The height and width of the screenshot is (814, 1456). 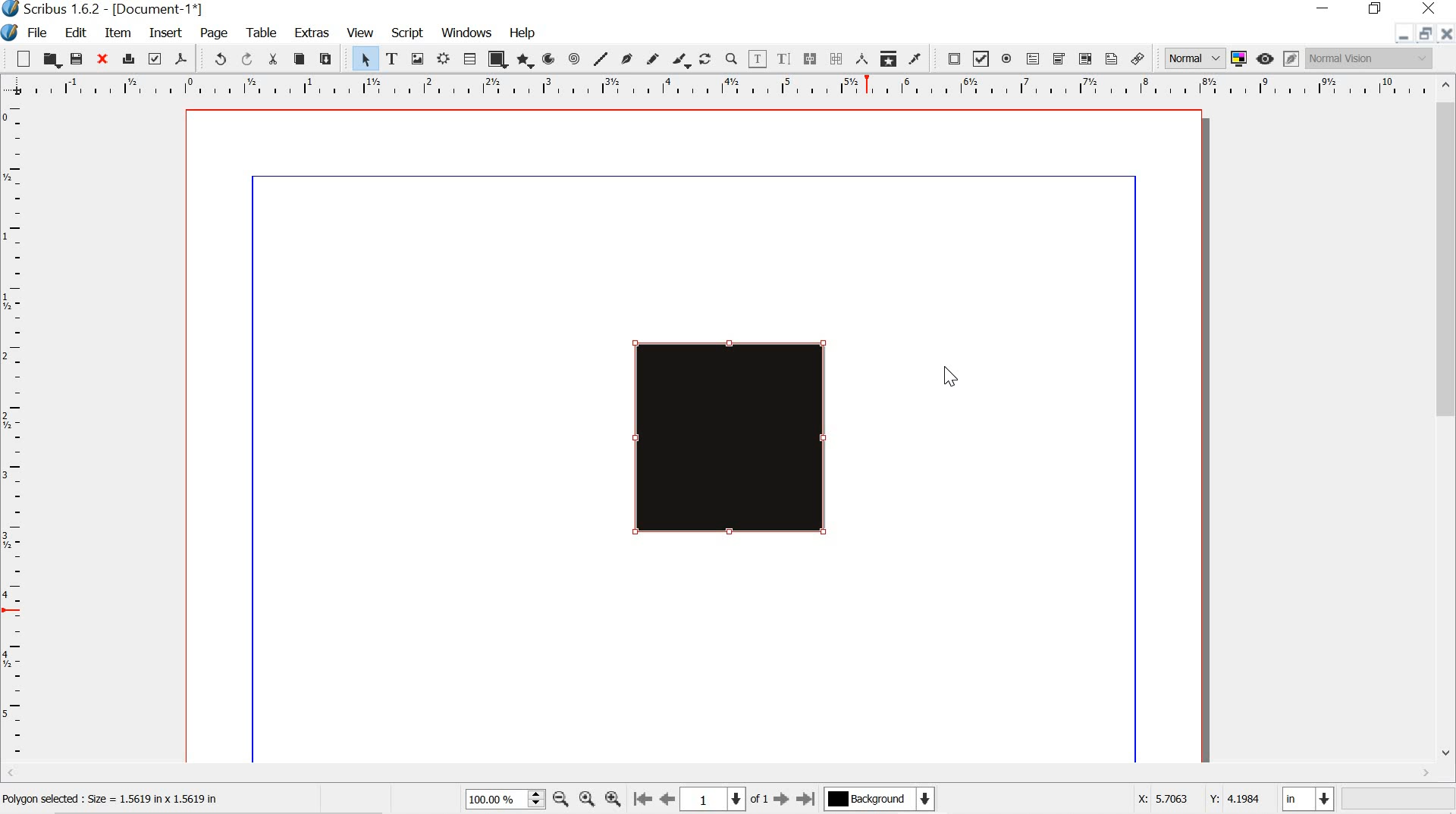 I want to click on zoom in or zoom out, so click(x=731, y=58).